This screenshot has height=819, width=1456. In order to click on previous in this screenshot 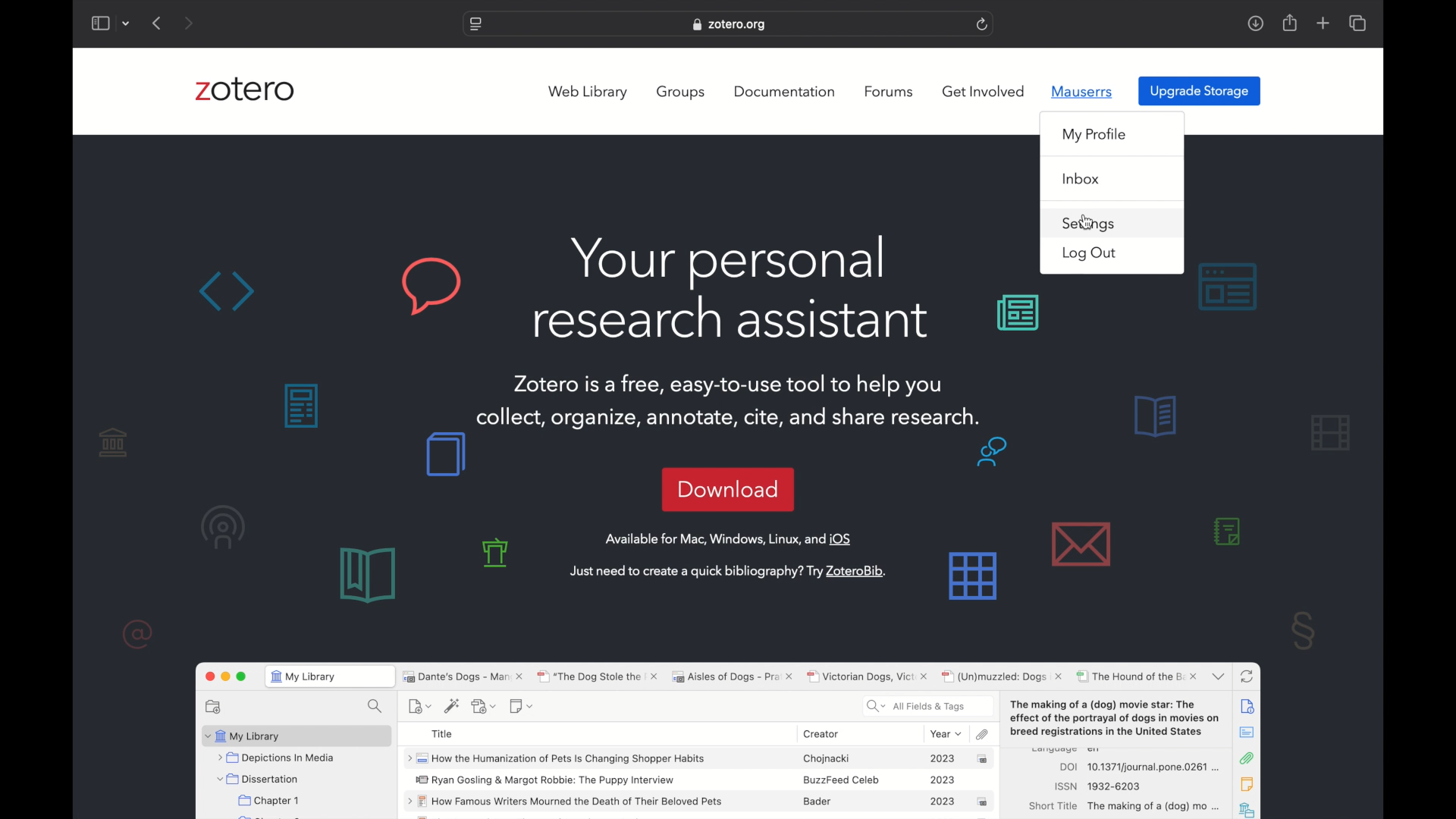, I will do `click(158, 23)`.